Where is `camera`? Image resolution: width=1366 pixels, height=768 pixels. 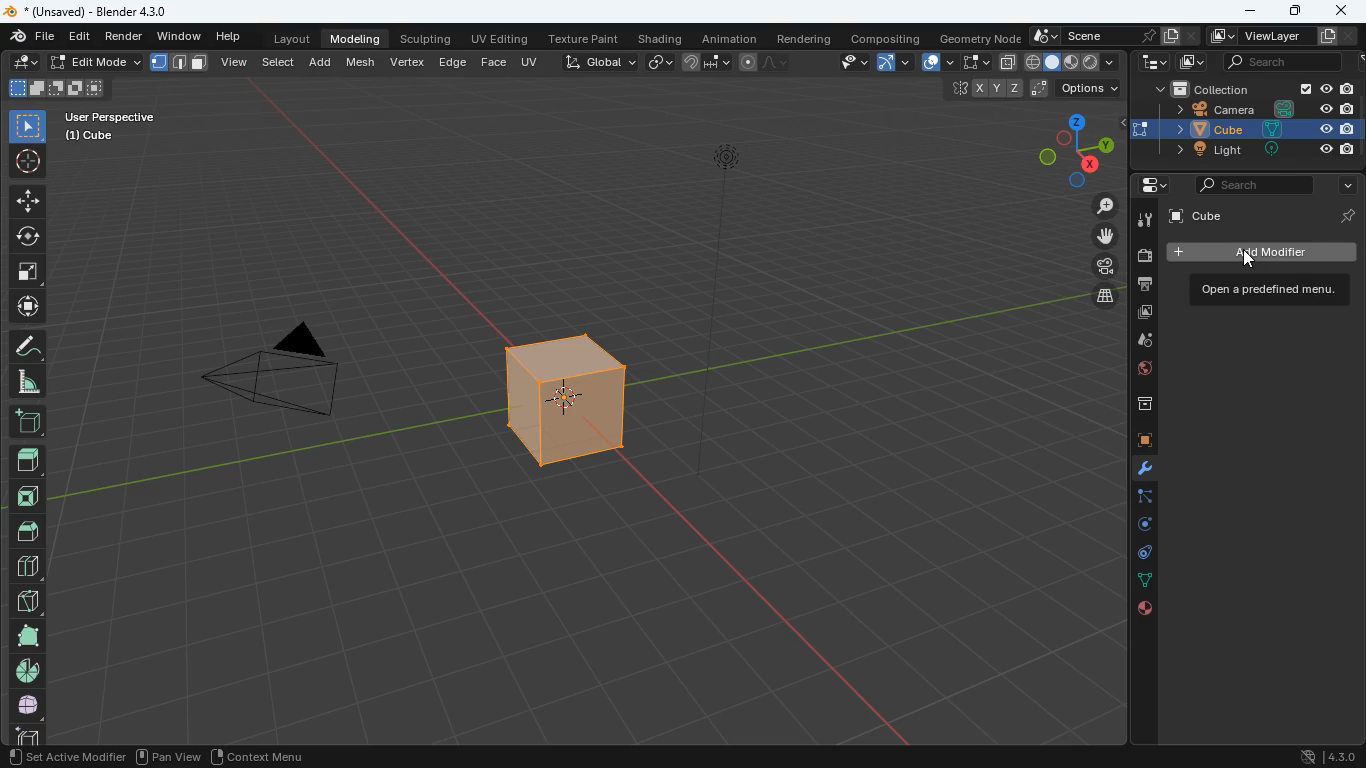
camera is located at coordinates (1250, 110).